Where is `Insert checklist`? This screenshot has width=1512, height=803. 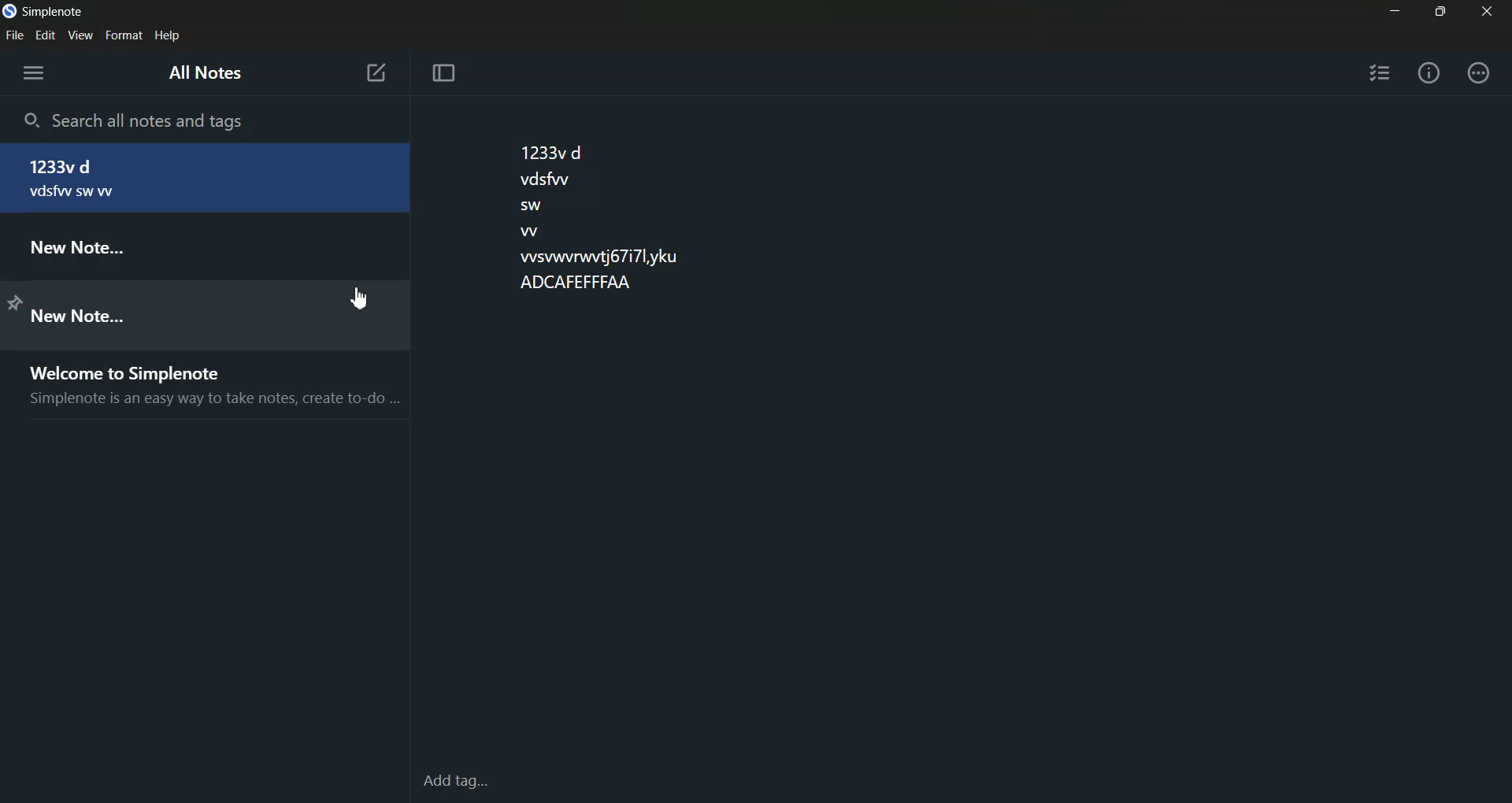 Insert checklist is located at coordinates (1381, 72).